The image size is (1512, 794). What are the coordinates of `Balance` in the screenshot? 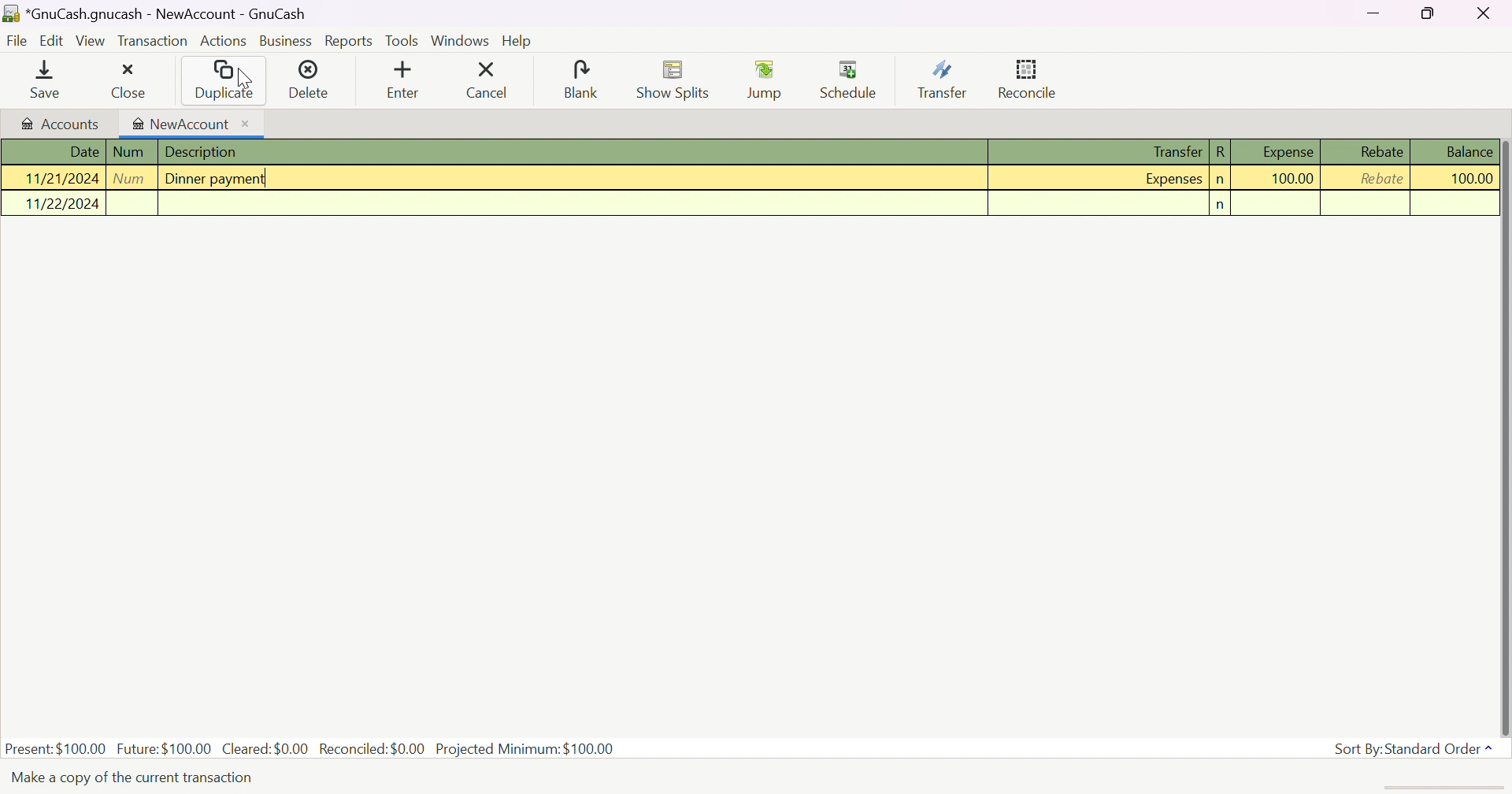 It's located at (1470, 151).